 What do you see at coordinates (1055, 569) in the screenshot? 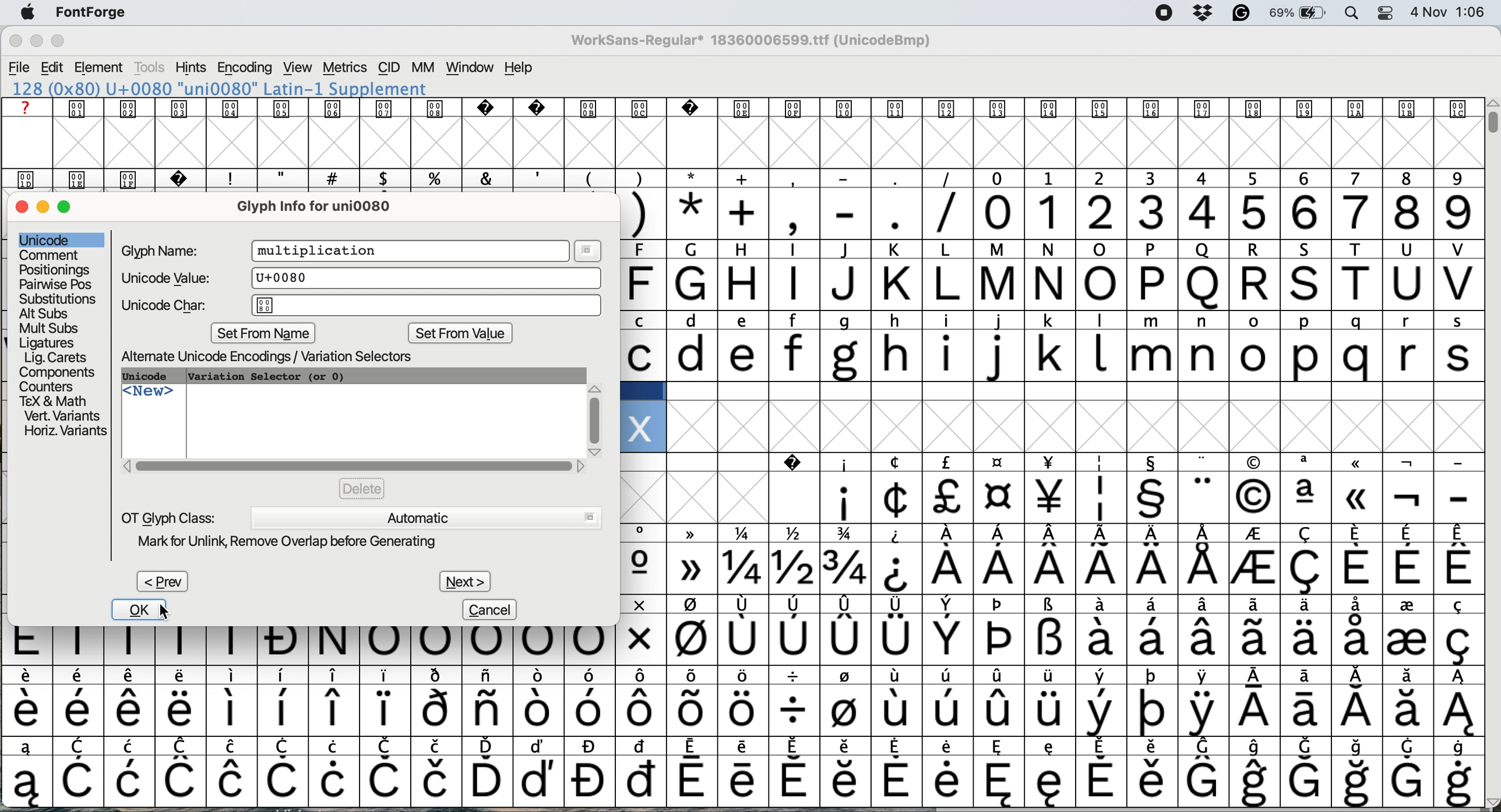
I see `special characters` at bounding box center [1055, 569].